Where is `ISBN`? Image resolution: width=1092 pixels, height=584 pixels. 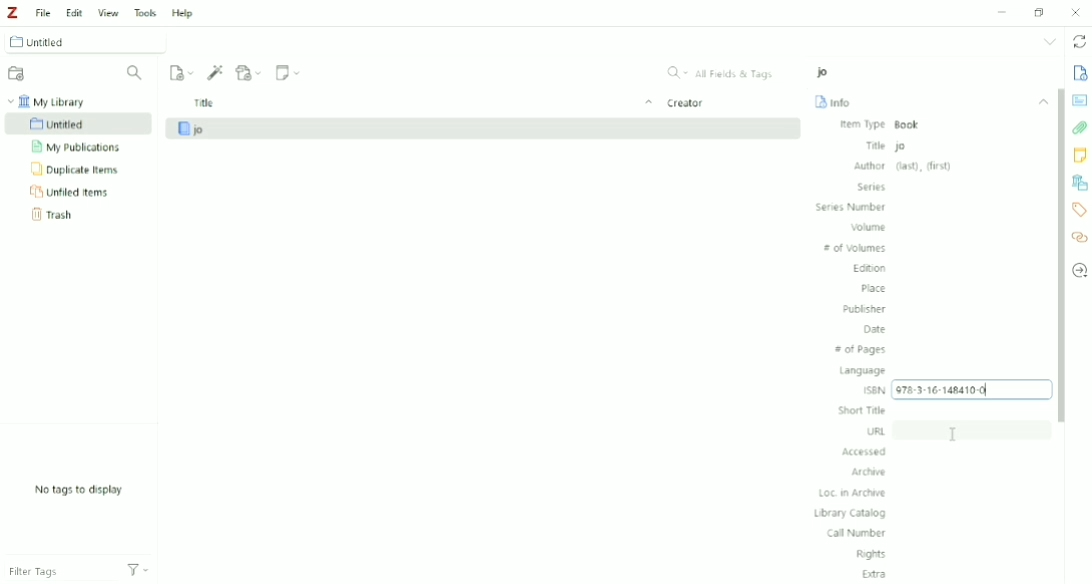
ISBN is located at coordinates (873, 390).